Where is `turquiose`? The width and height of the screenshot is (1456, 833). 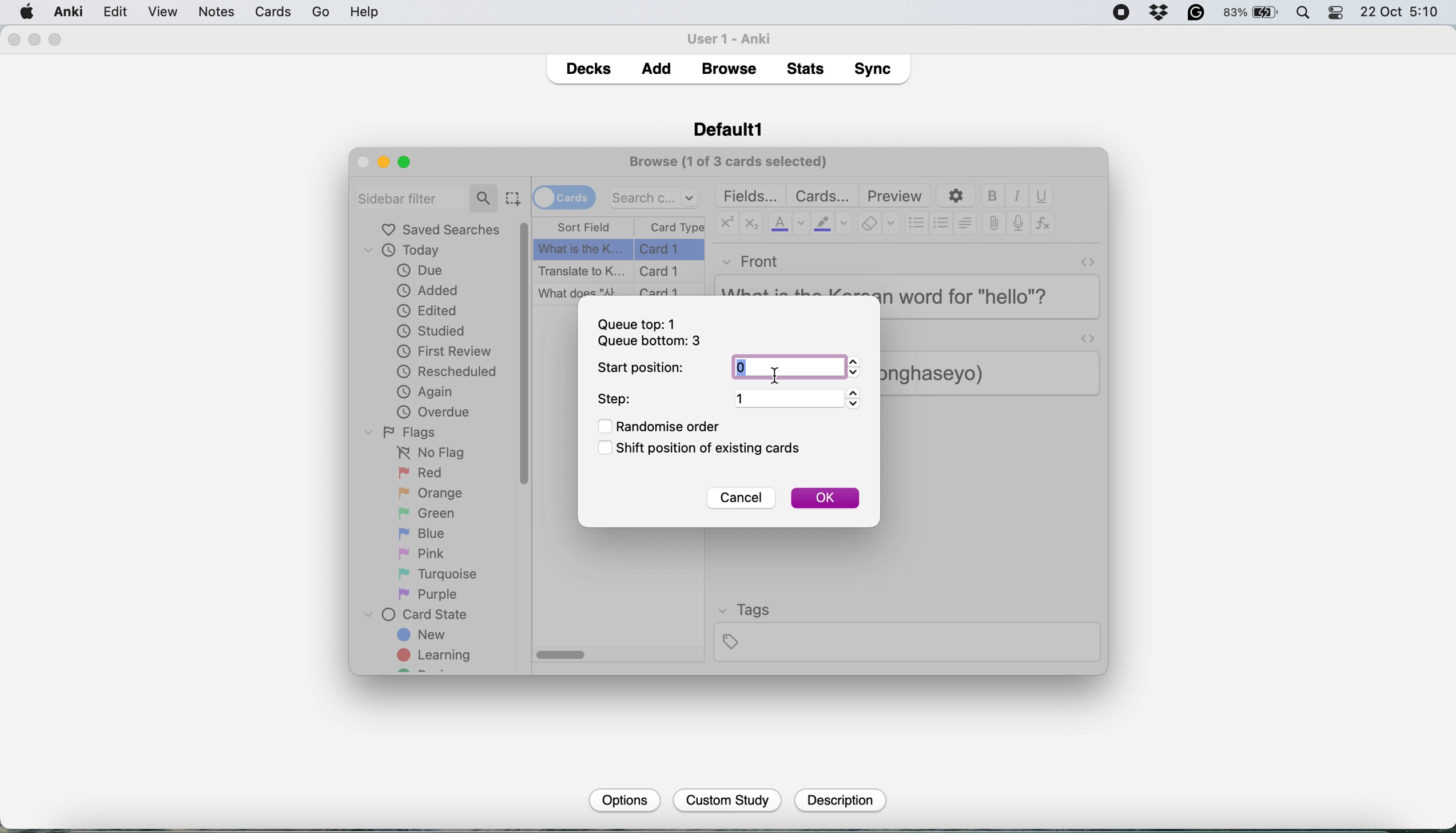
turquiose is located at coordinates (435, 574).